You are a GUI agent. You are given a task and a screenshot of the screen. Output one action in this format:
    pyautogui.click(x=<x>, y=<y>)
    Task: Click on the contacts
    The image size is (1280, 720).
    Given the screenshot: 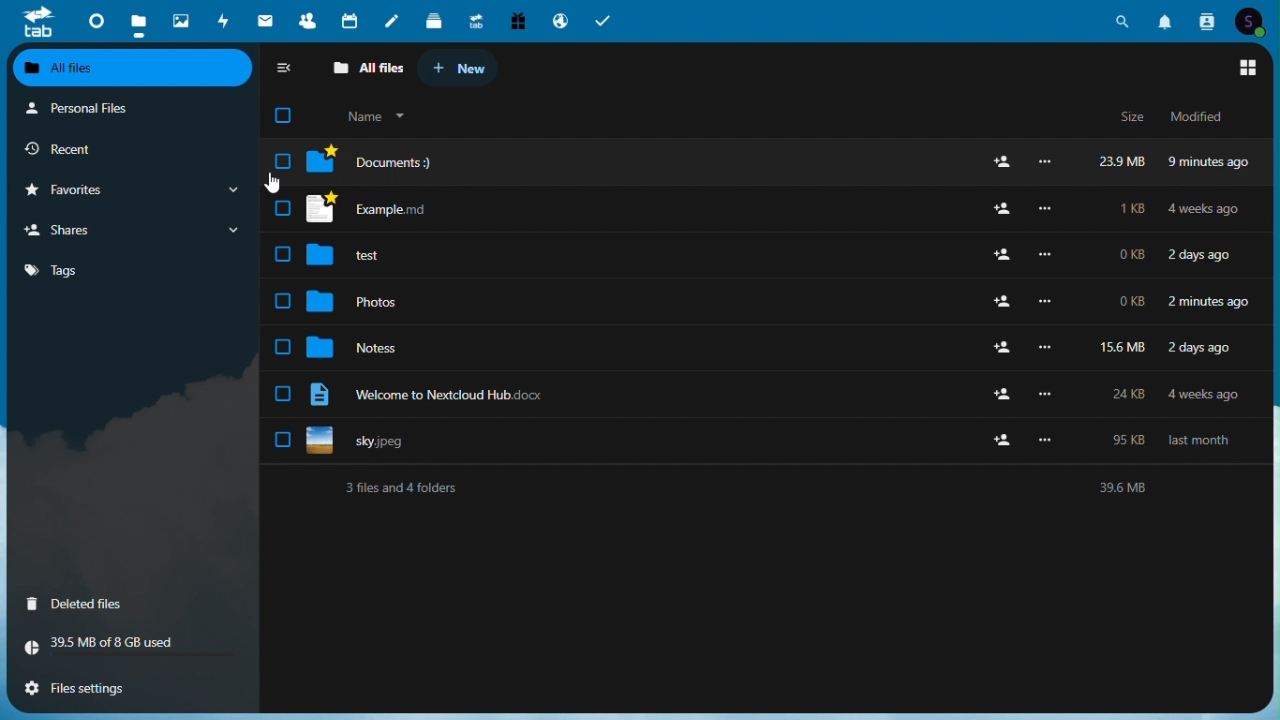 What is the action you would take?
    pyautogui.click(x=306, y=19)
    